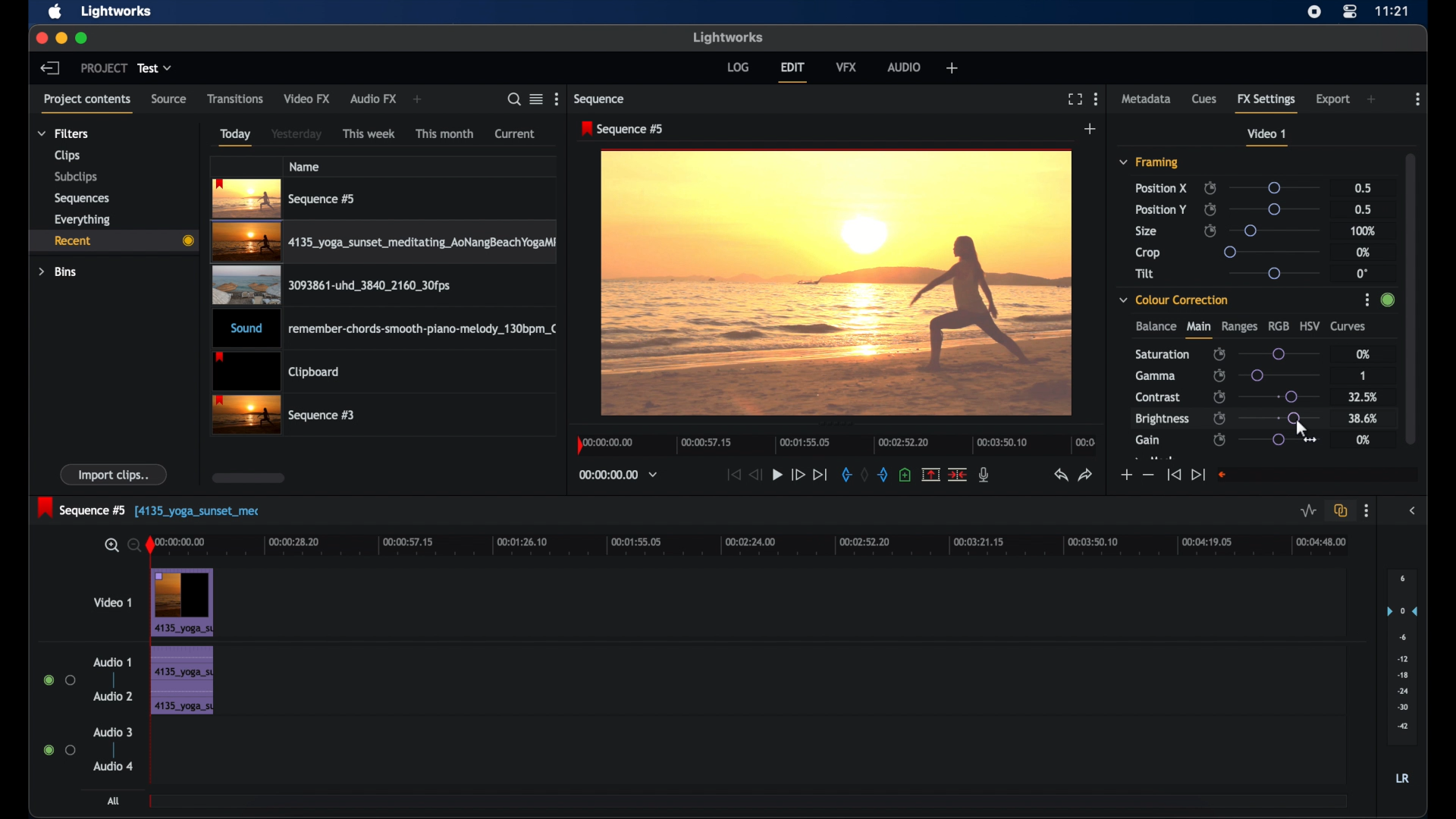 This screenshot has width=1456, height=819. Describe the element at coordinates (1402, 778) in the screenshot. I see `lr` at that location.